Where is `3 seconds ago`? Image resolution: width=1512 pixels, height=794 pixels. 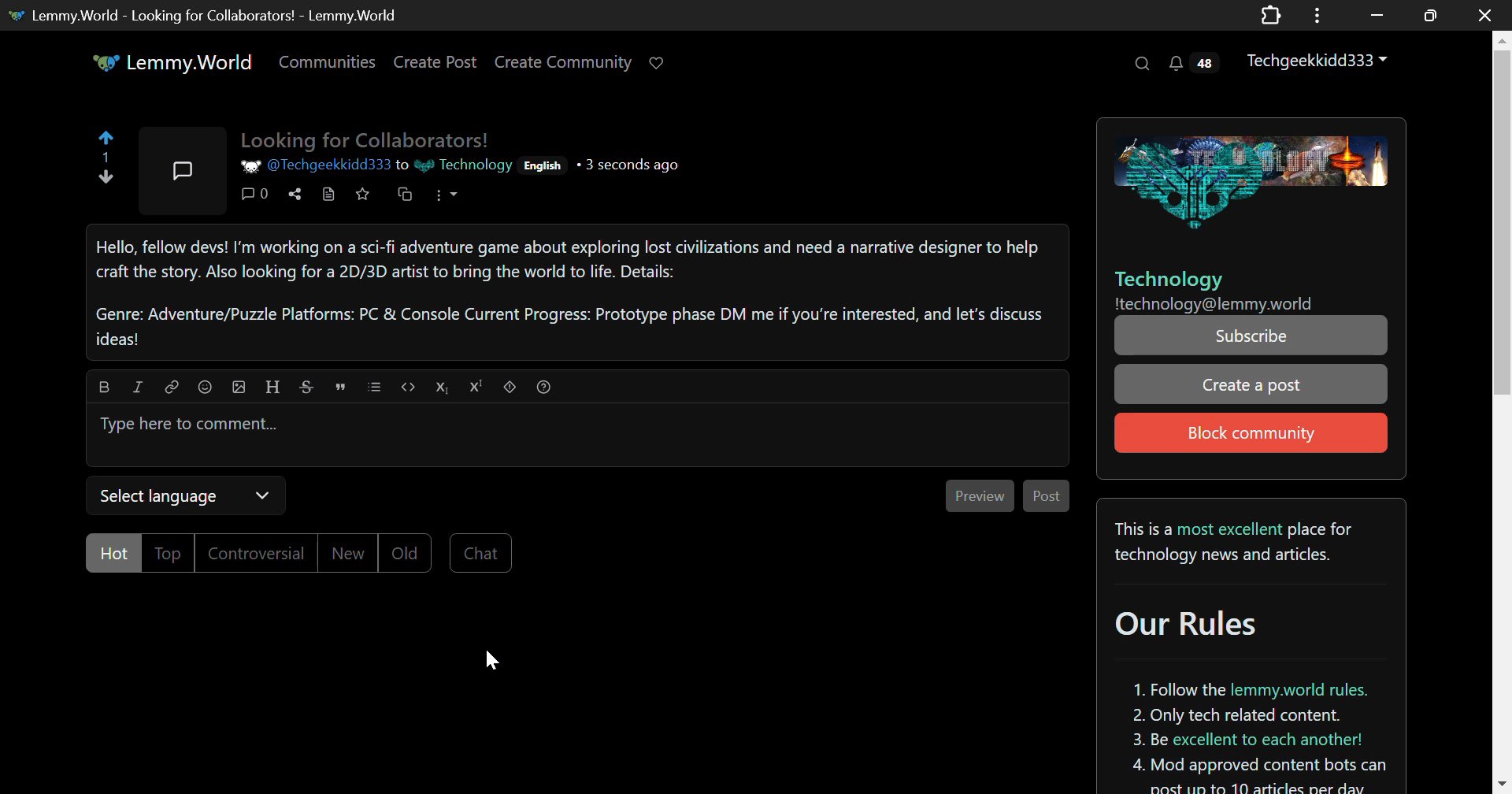
3 seconds ago is located at coordinates (633, 165).